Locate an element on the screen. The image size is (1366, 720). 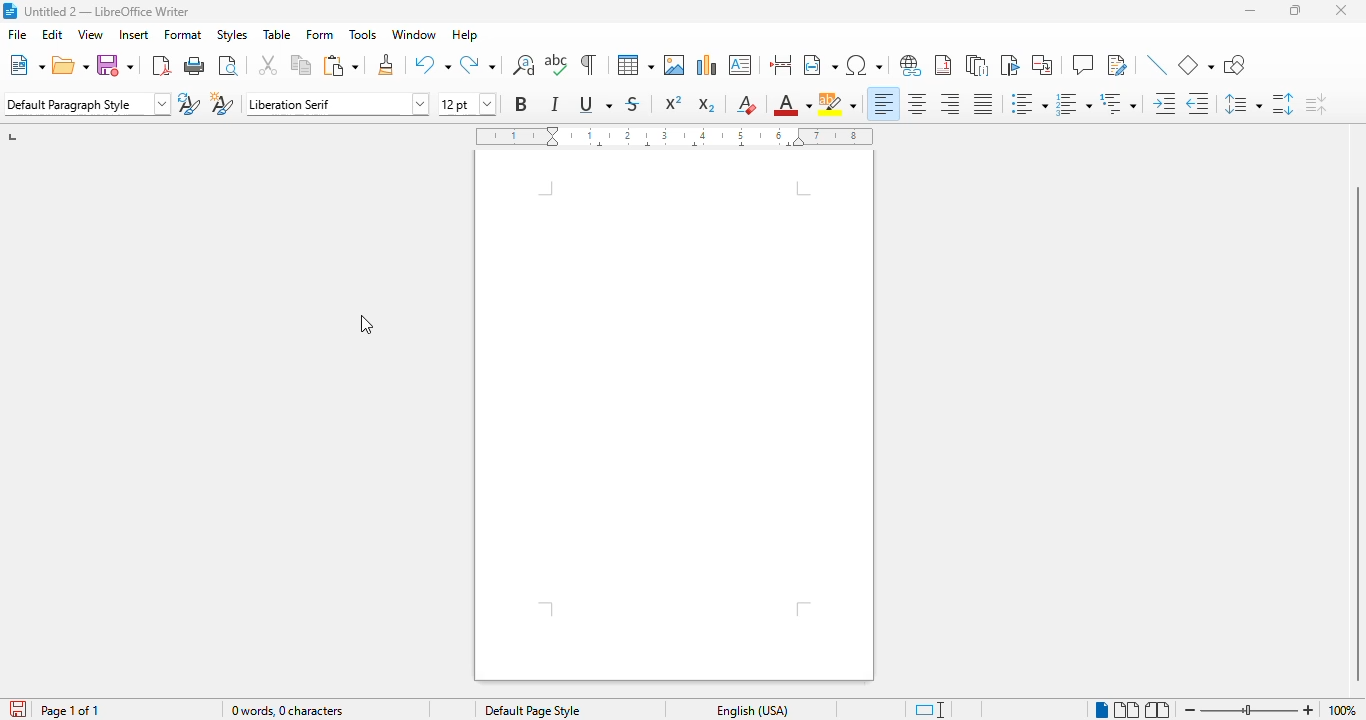
click to save the document is located at coordinates (19, 709).